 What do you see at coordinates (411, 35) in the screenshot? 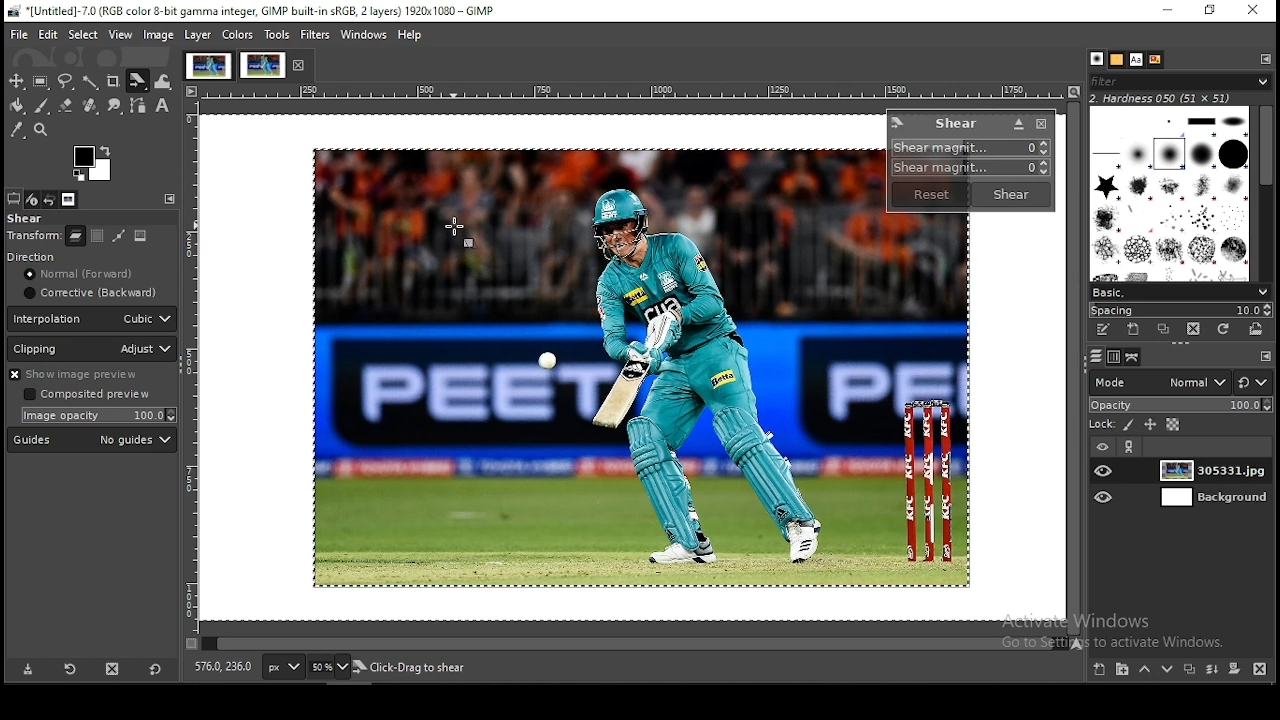
I see `help` at bounding box center [411, 35].